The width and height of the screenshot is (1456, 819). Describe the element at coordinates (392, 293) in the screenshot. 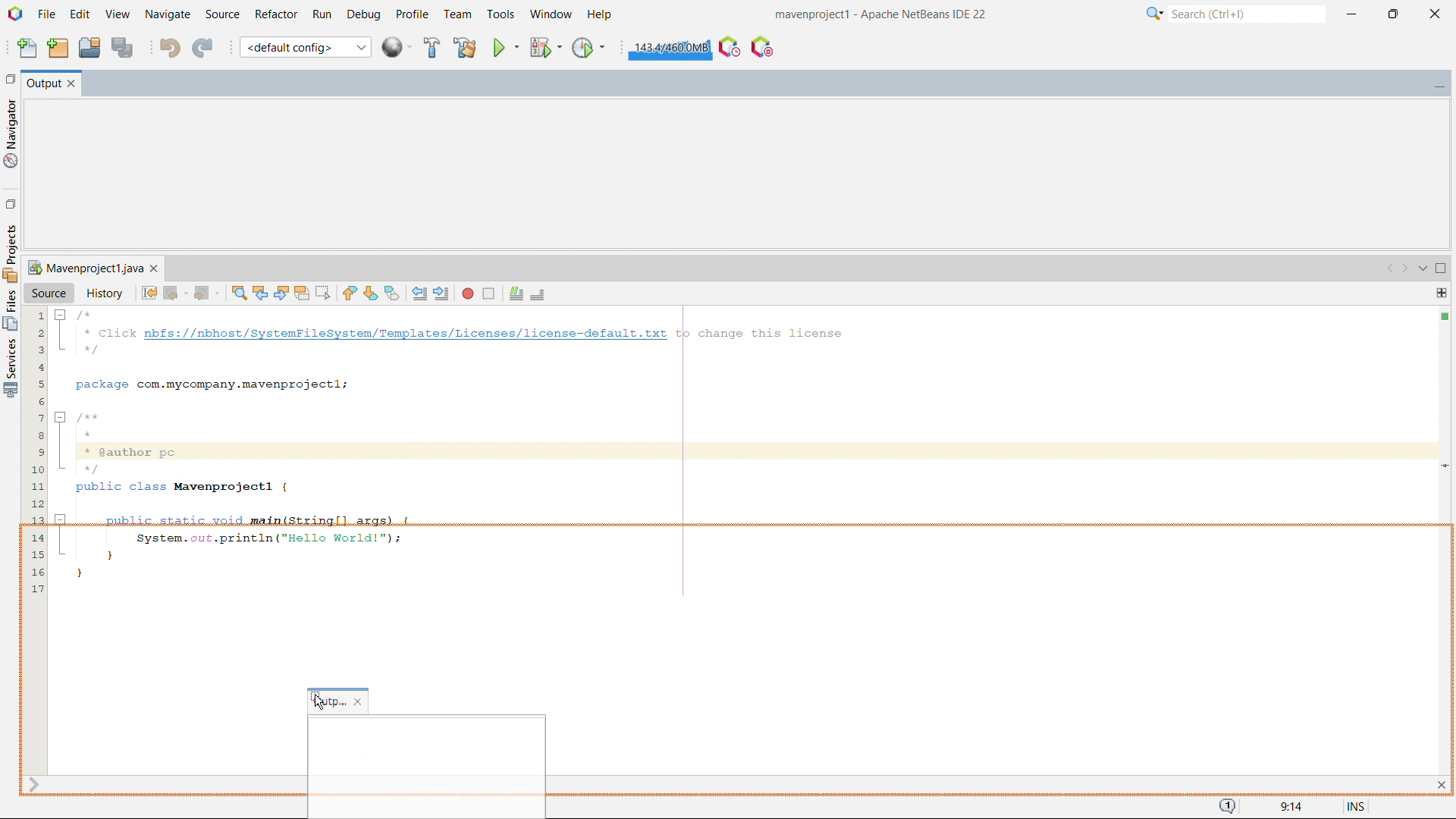

I see `toggle bookmark` at that location.